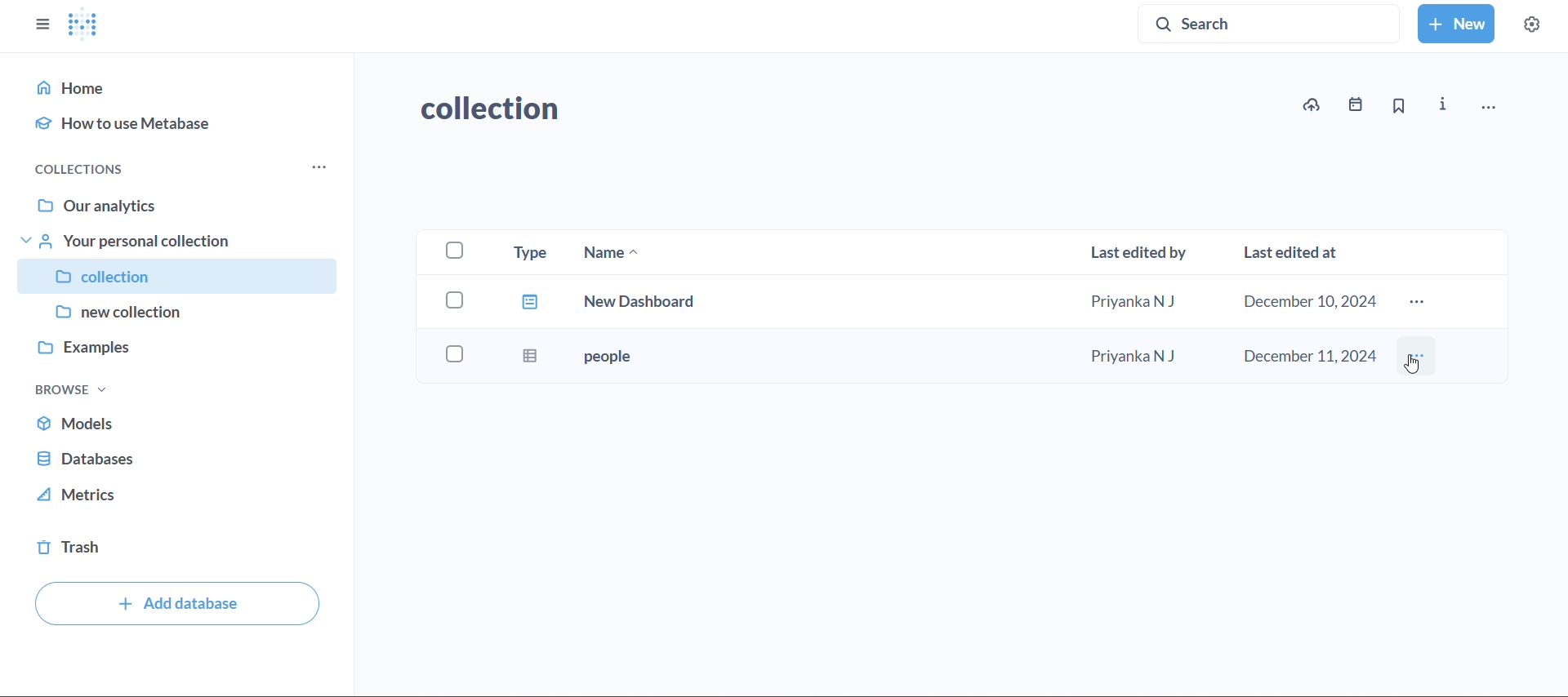 The image size is (1568, 697). What do you see at coordinates (619, 252) in the screenshot?
I see `name` at bounding box center [619, 252].